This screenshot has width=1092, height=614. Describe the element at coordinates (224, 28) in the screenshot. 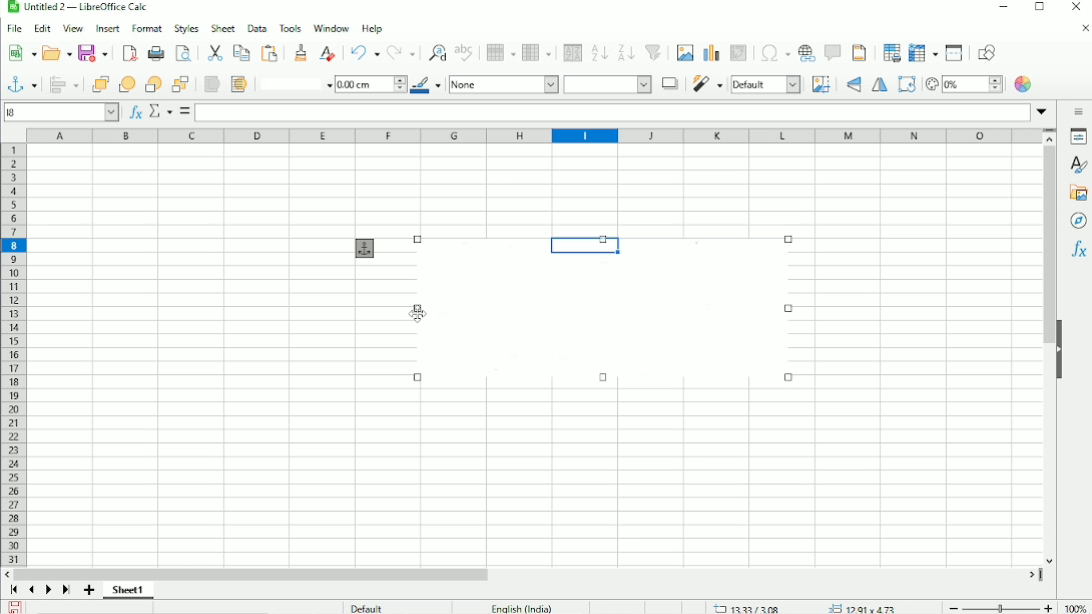

I see `Sheet` at that location.